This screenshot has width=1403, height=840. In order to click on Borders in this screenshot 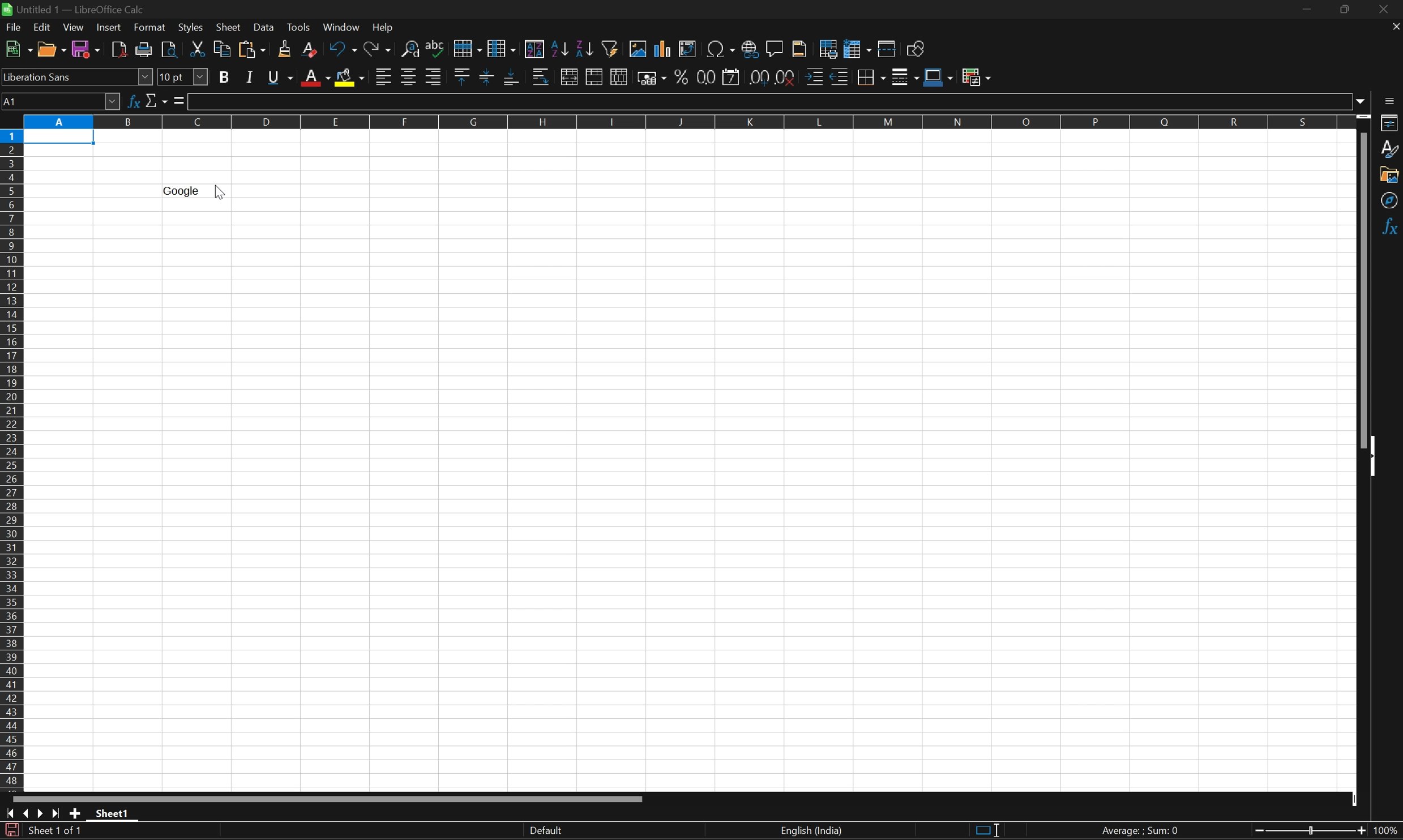, I will do `click(869, 77)`.